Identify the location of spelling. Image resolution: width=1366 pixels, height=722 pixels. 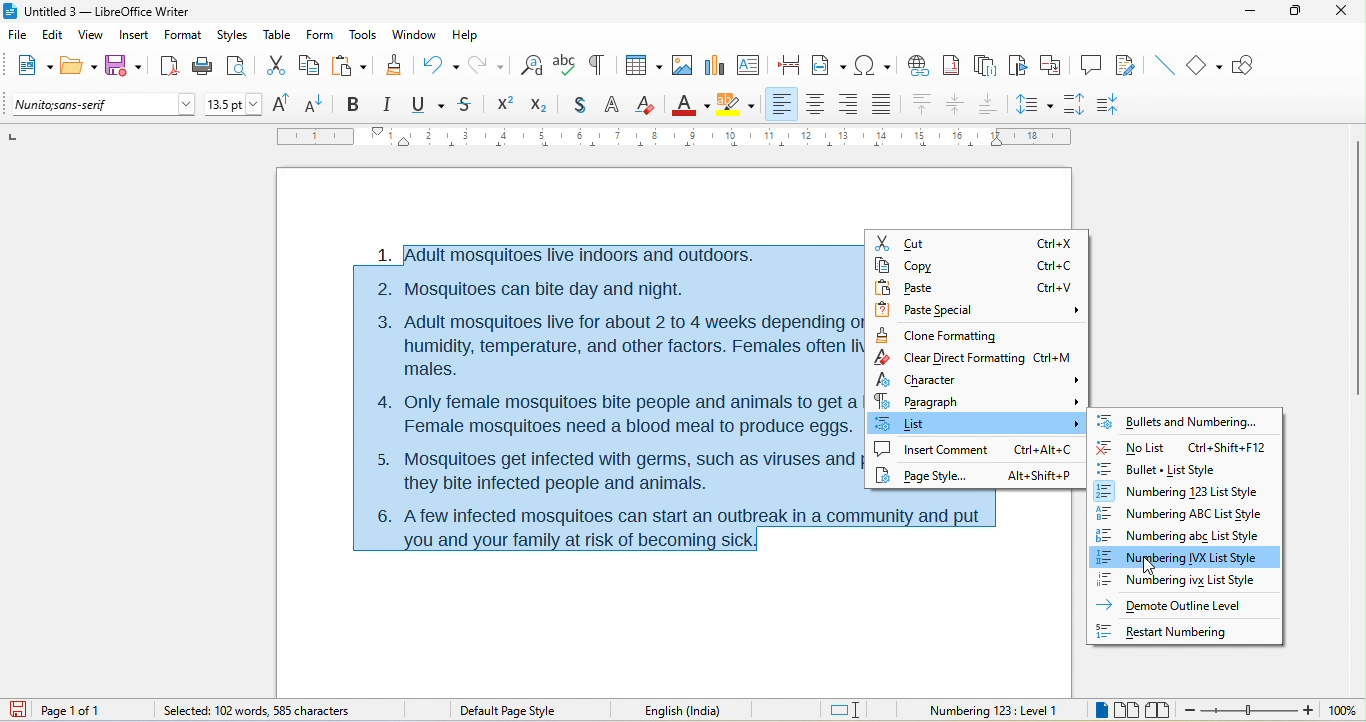
(565, 67).